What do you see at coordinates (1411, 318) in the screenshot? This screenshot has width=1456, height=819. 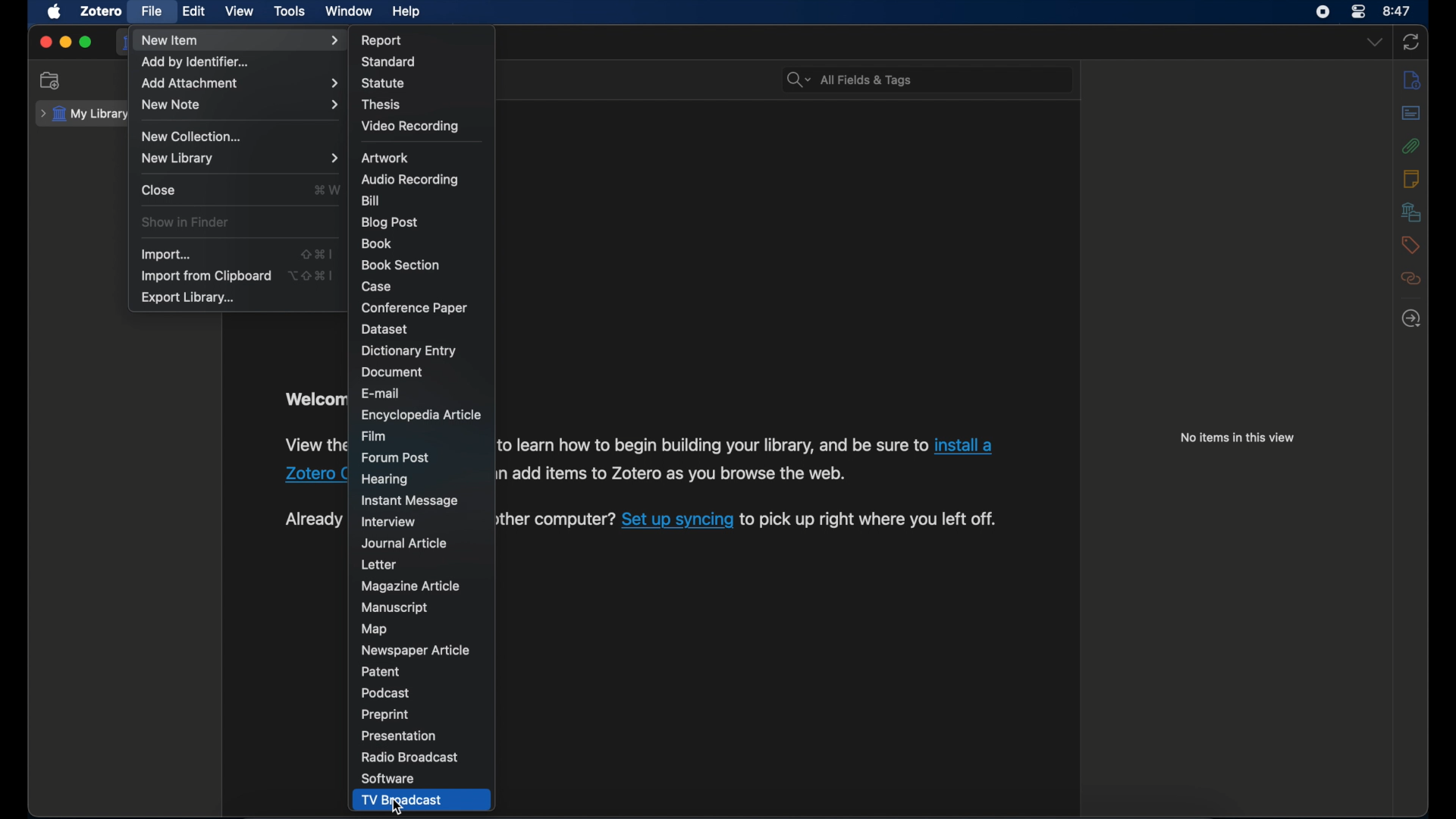 I see `locate` at bounding box center [1411, 318].